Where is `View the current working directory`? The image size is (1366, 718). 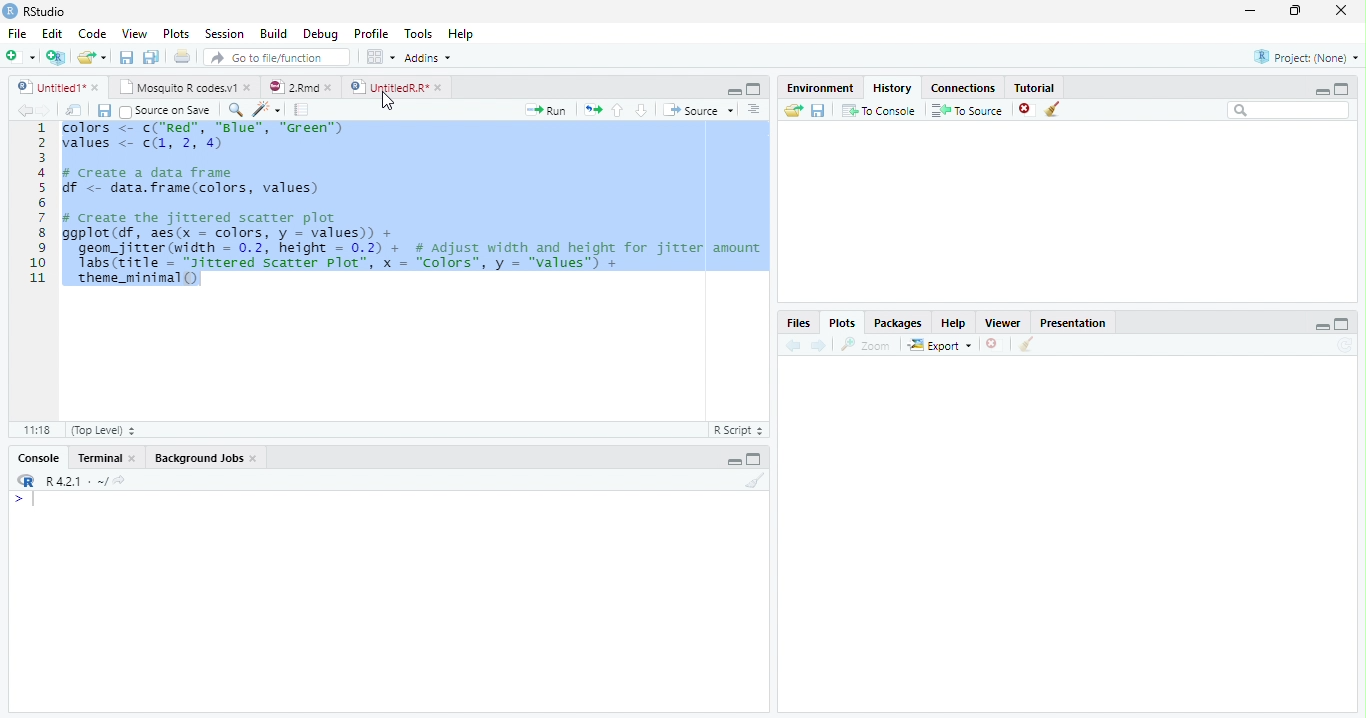
View the current working directory is located at coordinates (121, 480).